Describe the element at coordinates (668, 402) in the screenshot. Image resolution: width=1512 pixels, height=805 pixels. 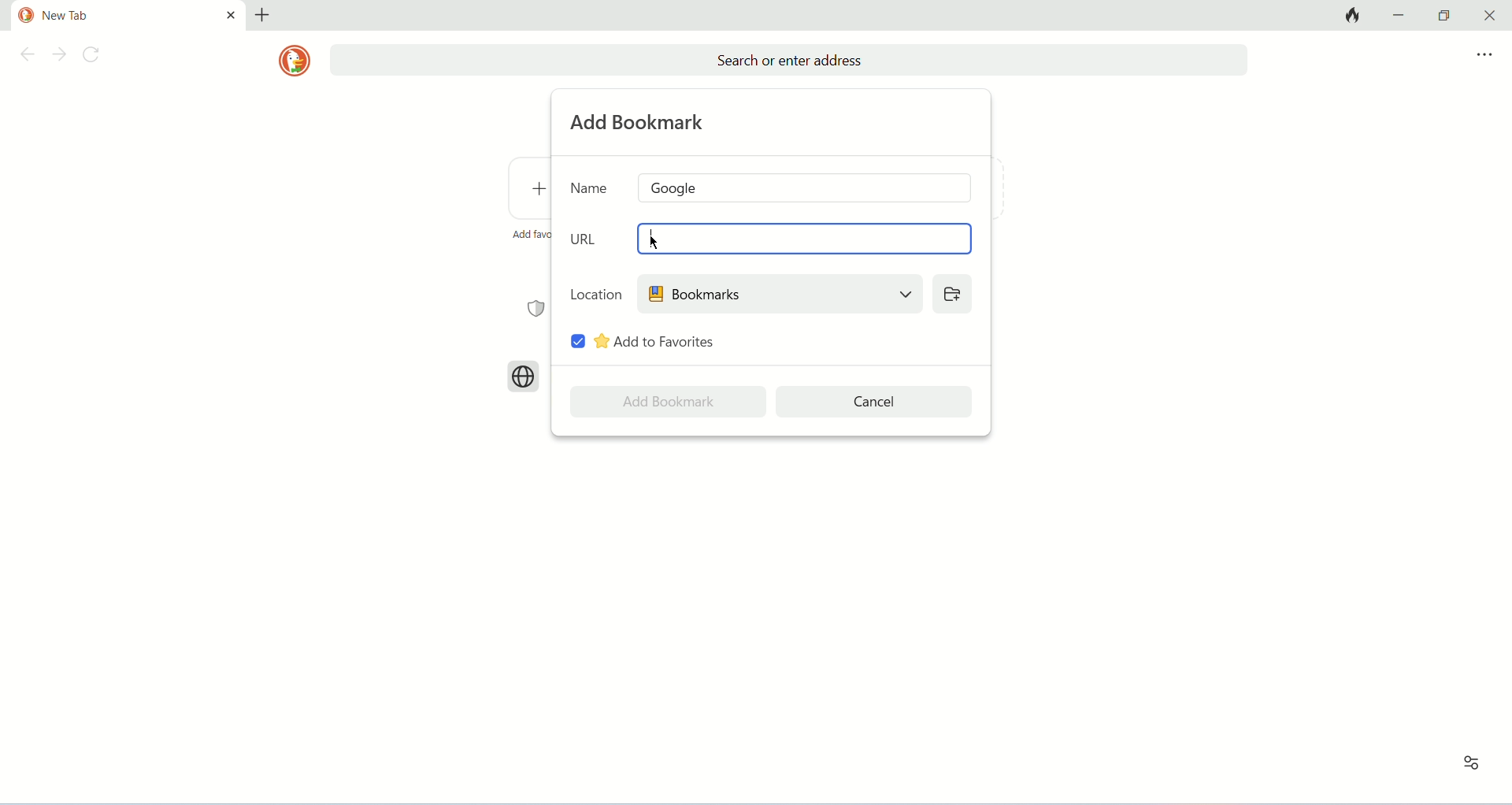
I see `add bookmark` at that location.